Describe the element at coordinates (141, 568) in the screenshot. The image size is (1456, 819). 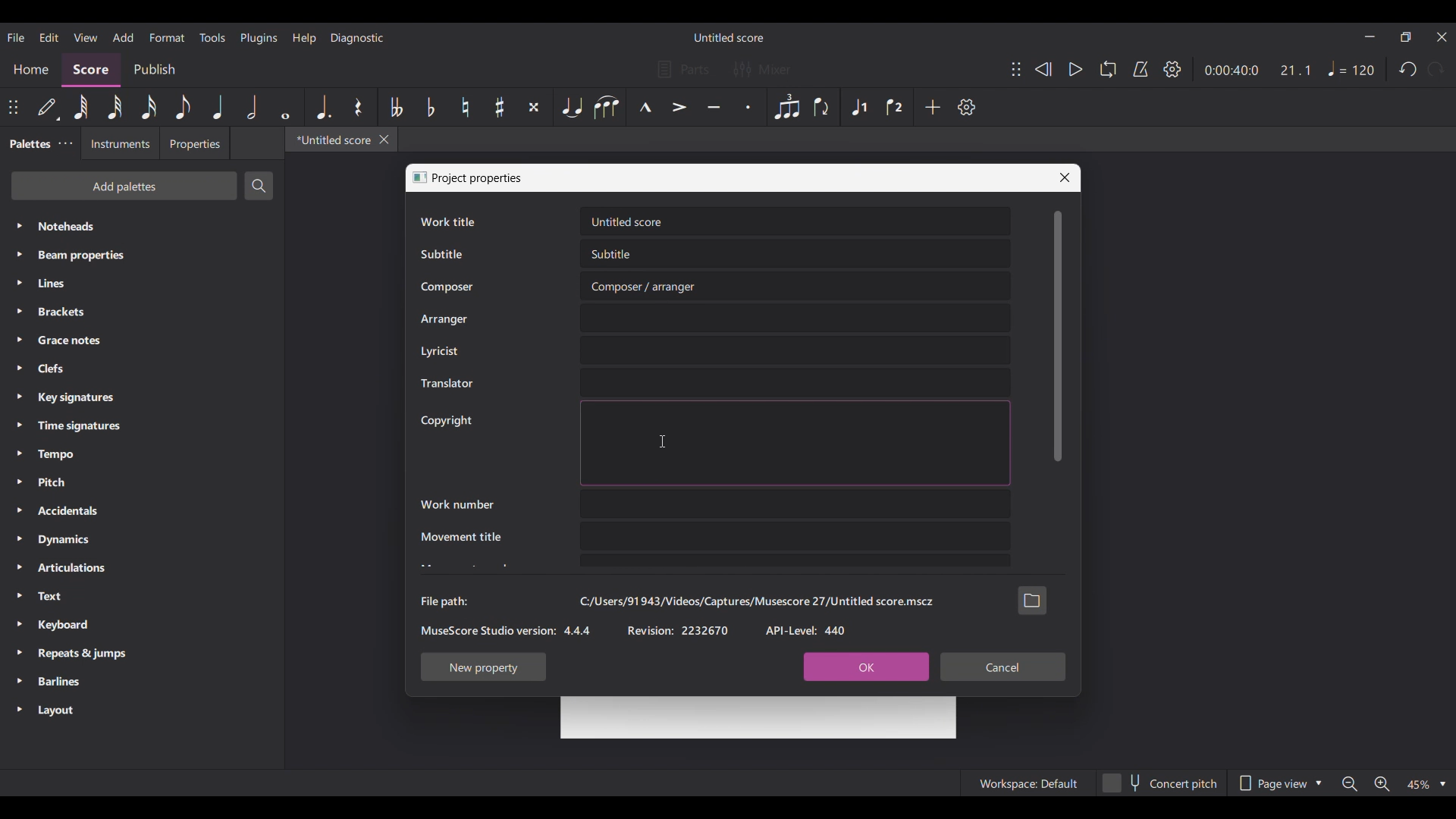
I see `Articulations` at that location.